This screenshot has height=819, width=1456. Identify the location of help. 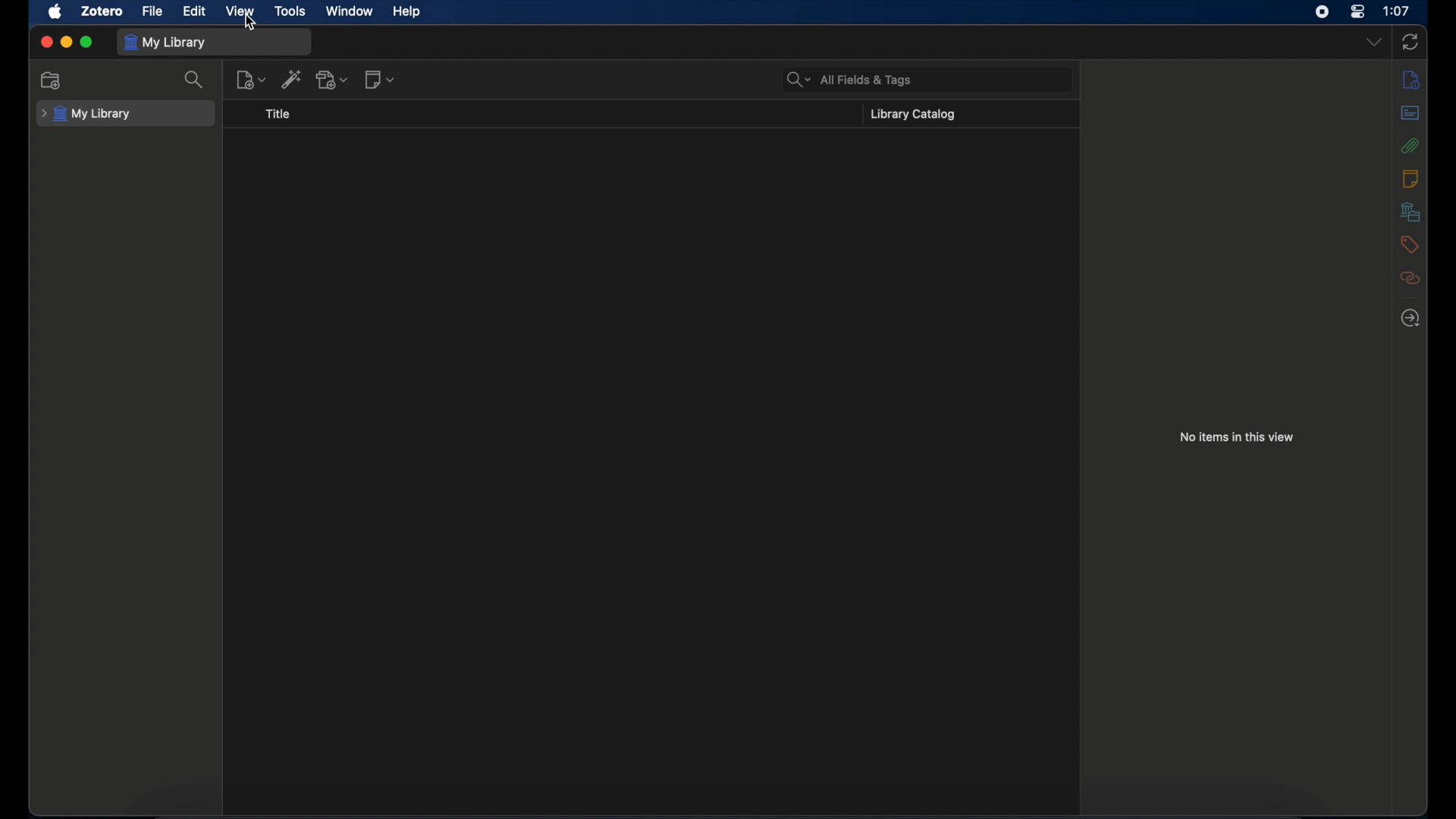
(408, 12).